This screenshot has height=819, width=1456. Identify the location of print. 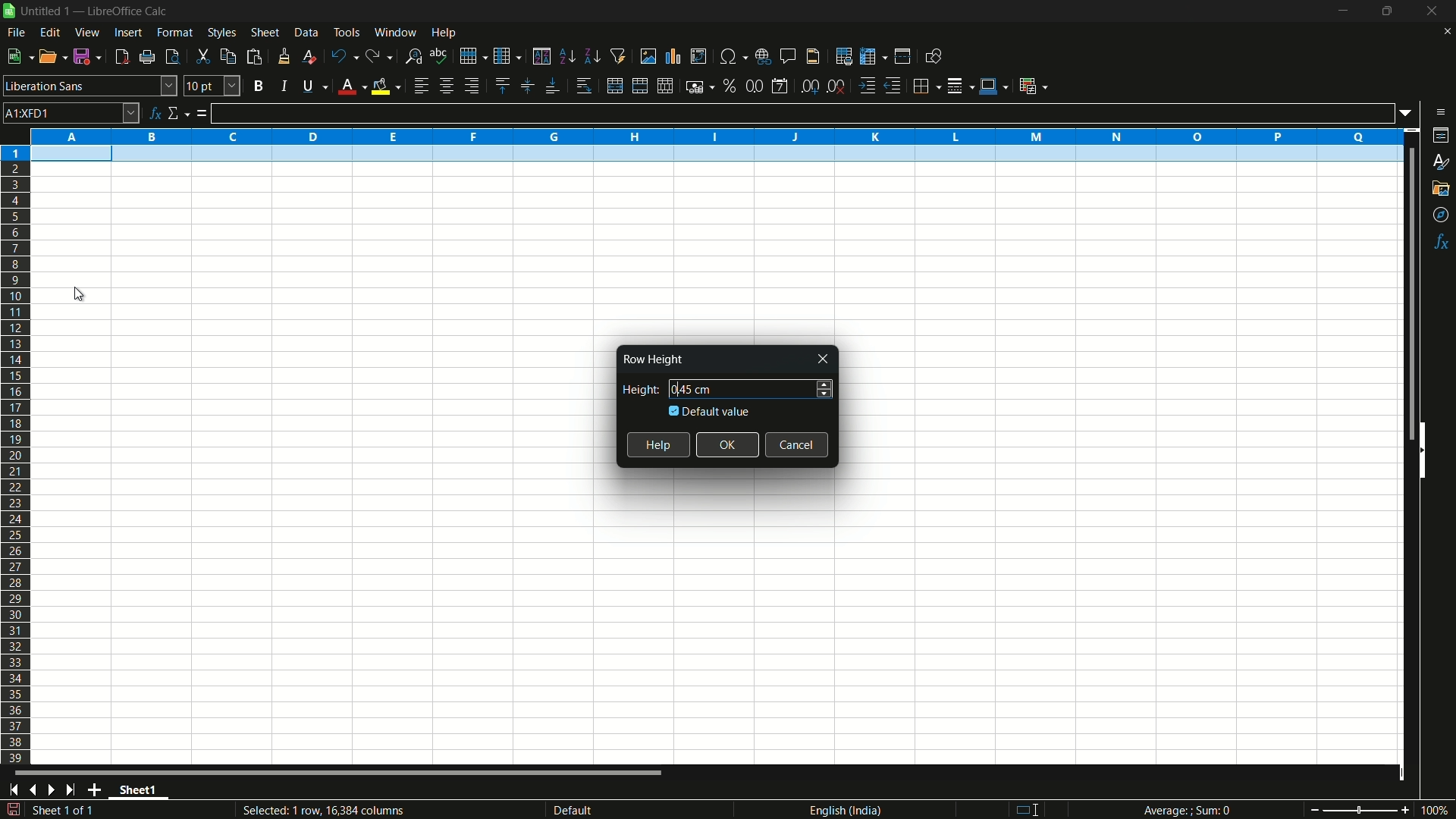
(147, 58).